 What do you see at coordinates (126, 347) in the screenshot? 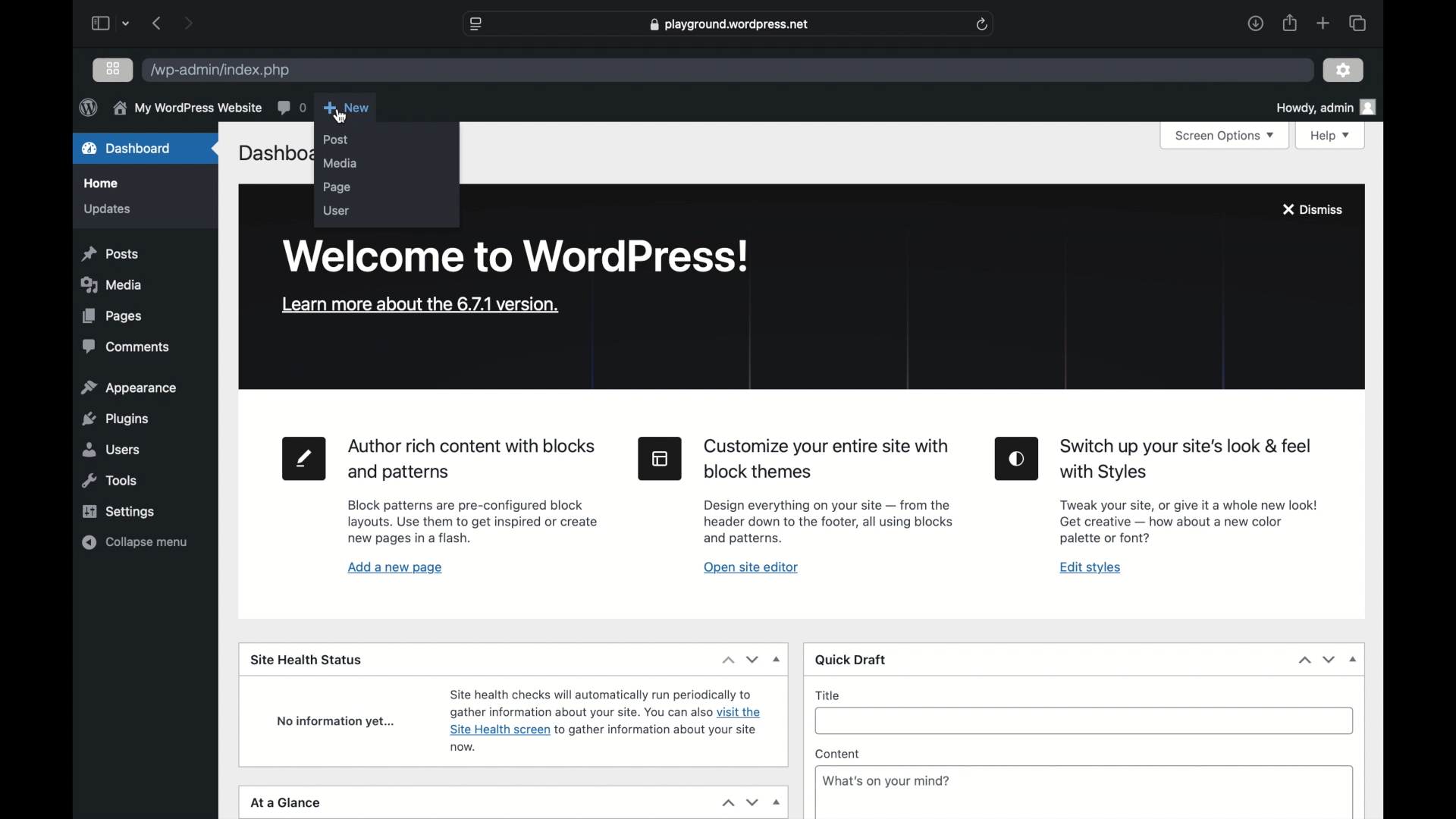
I see `comments` at bounding box center [126, 347].